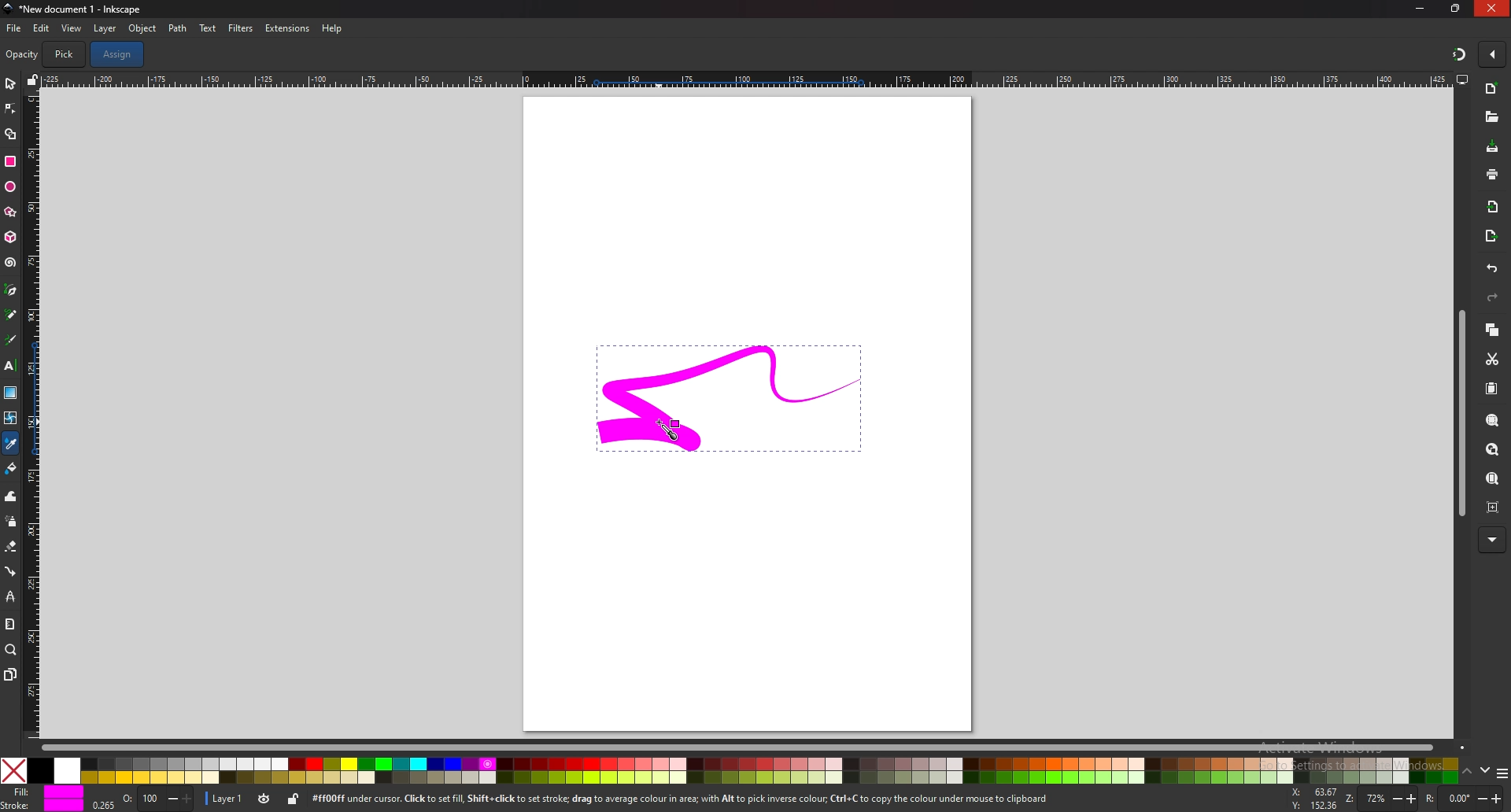 The width and height of the screenshot is (1511, 812). Describe the element at coordinates (72, 28) in the screenshot. I see `view` at that location.